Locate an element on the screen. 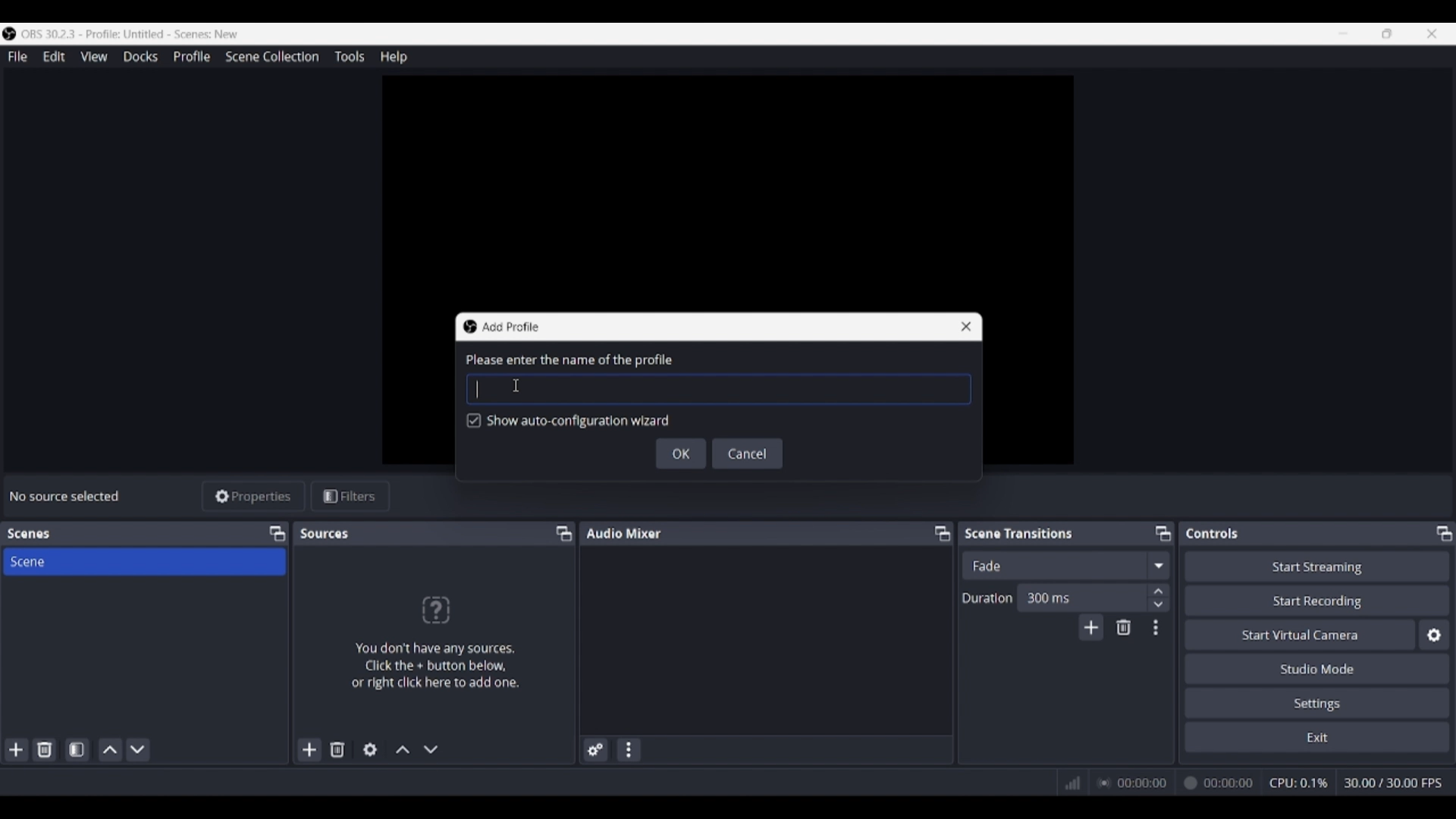  Fade options is located at coordinates (1158, 565).